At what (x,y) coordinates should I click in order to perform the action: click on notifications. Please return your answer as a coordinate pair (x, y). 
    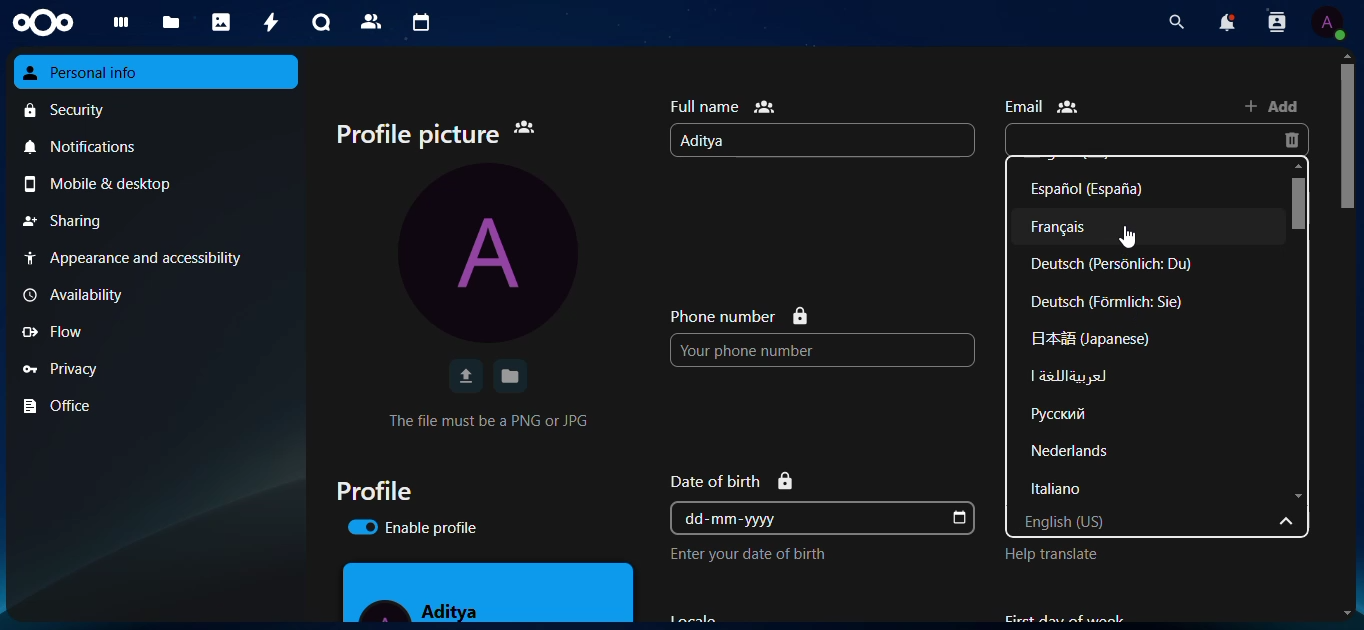
    Looking at the image, I should click on (1222, 23).